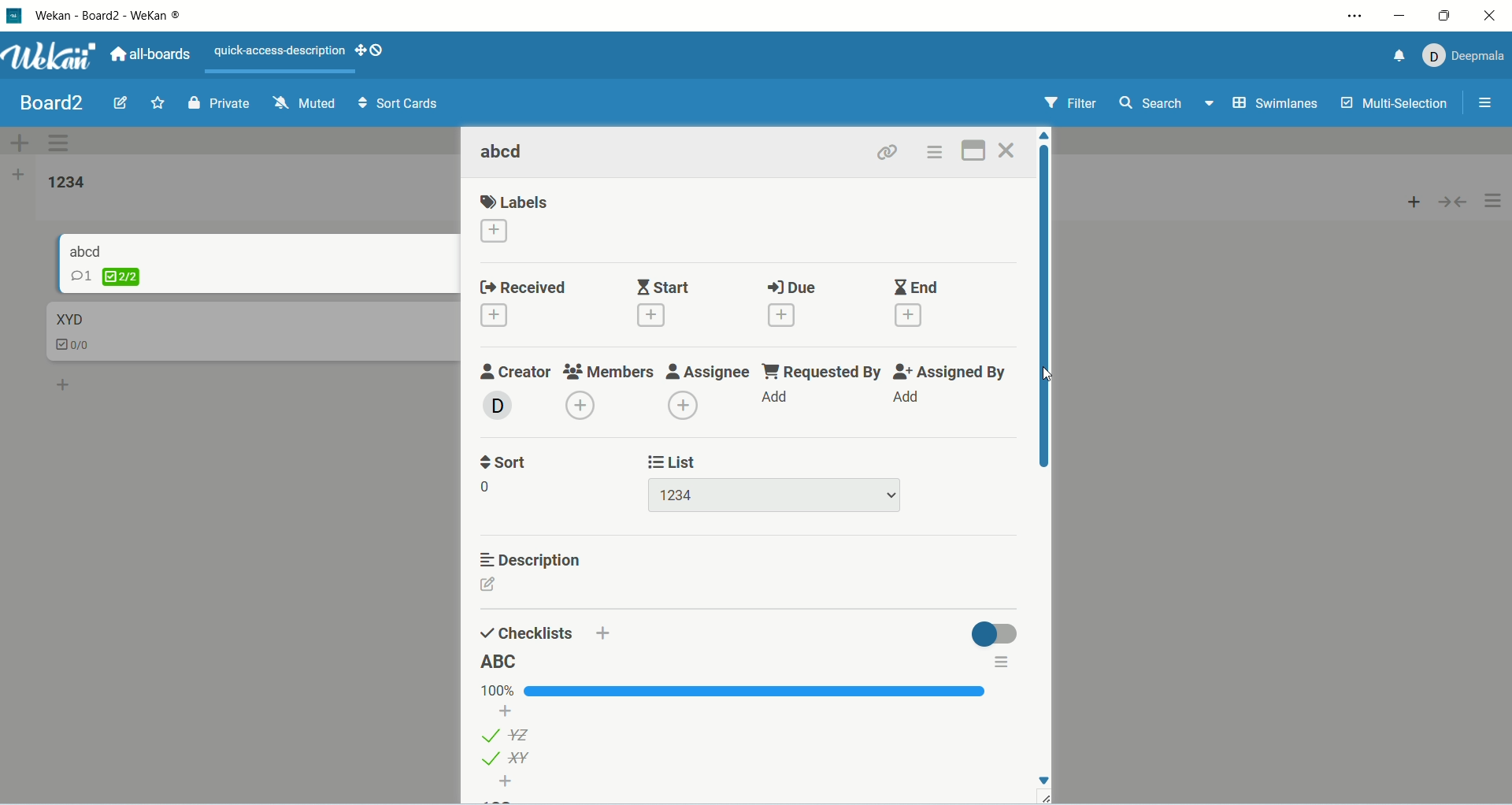 The height and width of the screenshot is (805, 1512). I want to click on add, so click(906, 396).